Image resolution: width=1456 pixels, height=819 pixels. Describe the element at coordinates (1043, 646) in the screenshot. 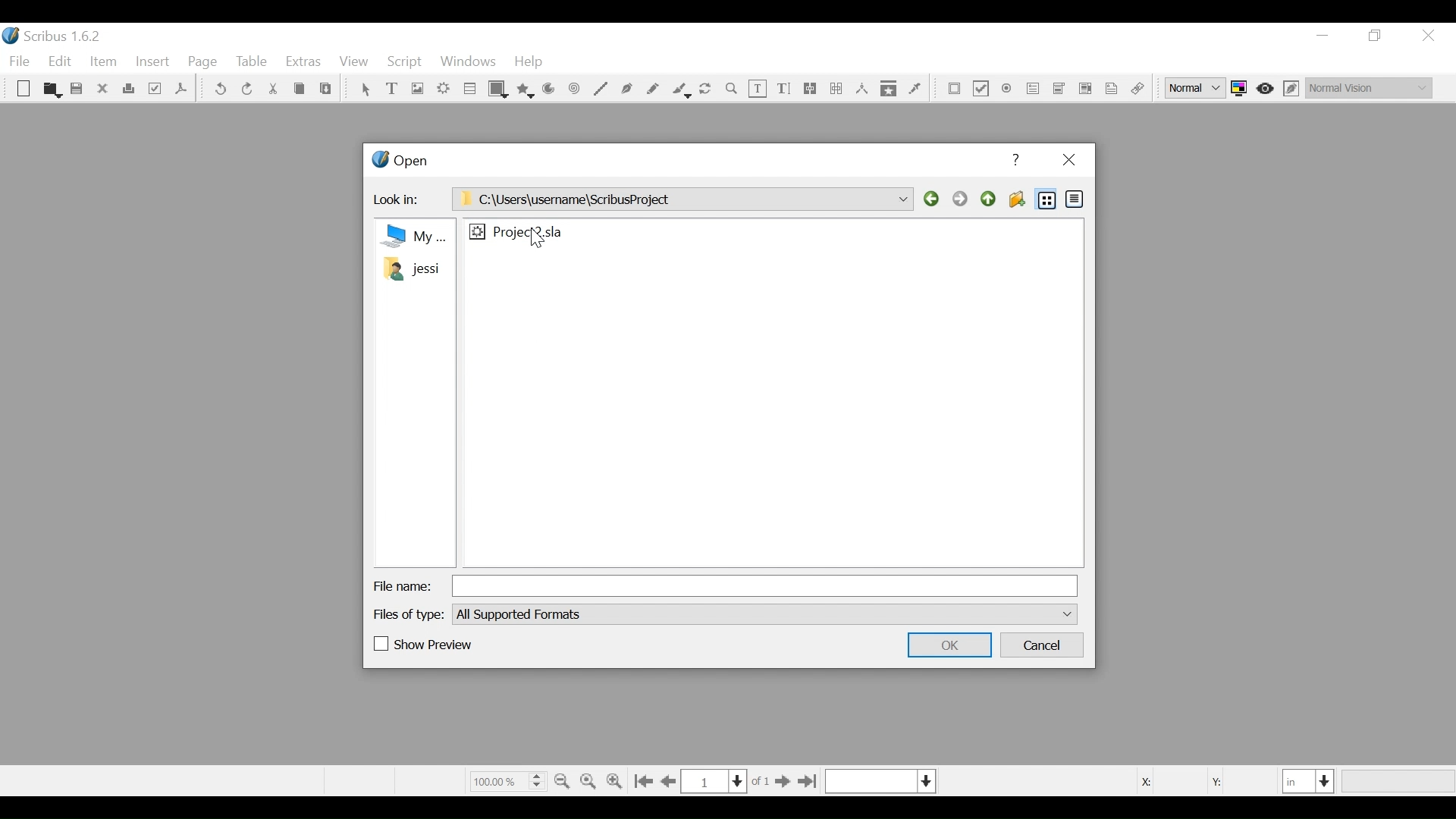

I see `Cancel` at that location.